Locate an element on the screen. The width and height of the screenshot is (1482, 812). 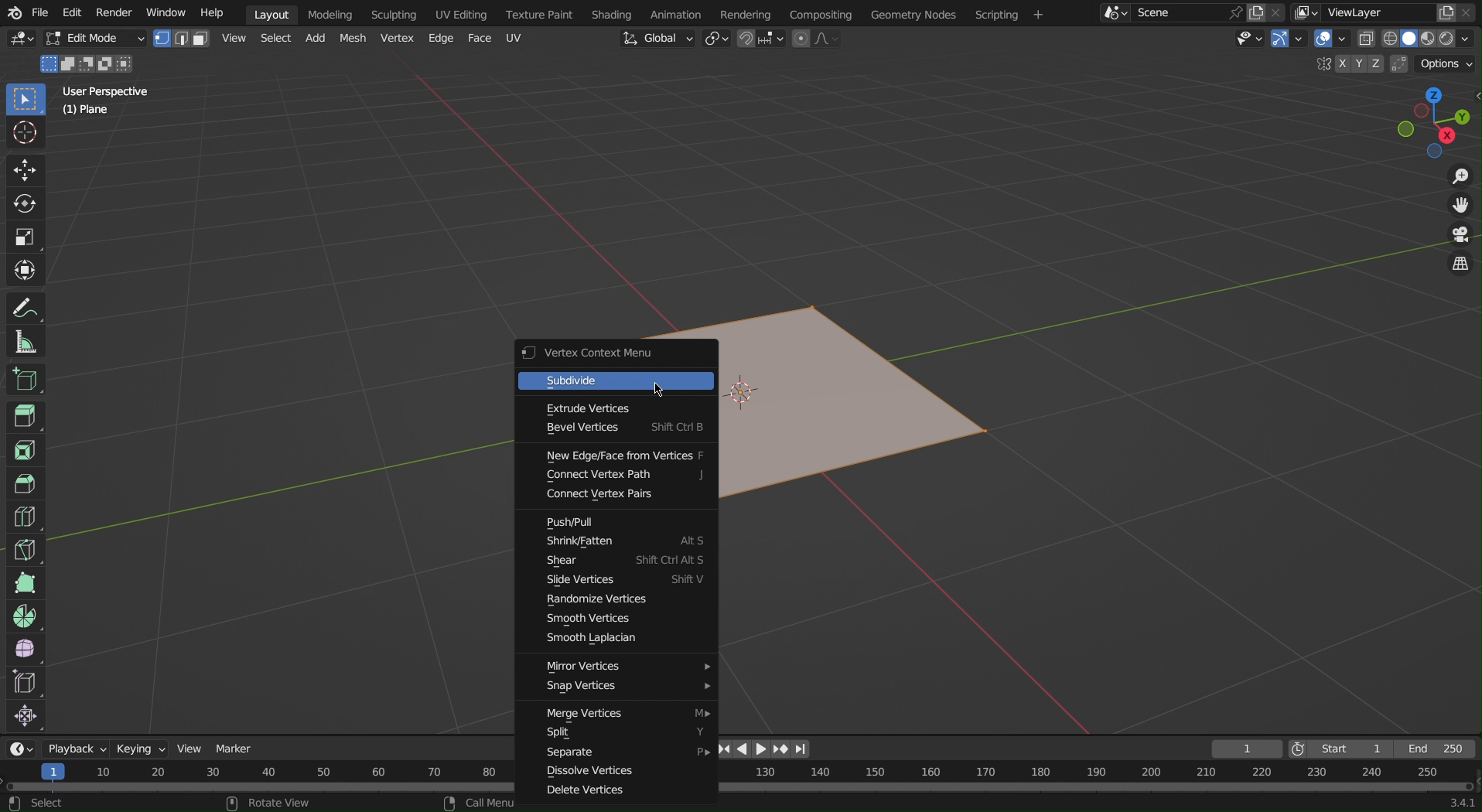
Select Mode is located at coordinates (181, 39).